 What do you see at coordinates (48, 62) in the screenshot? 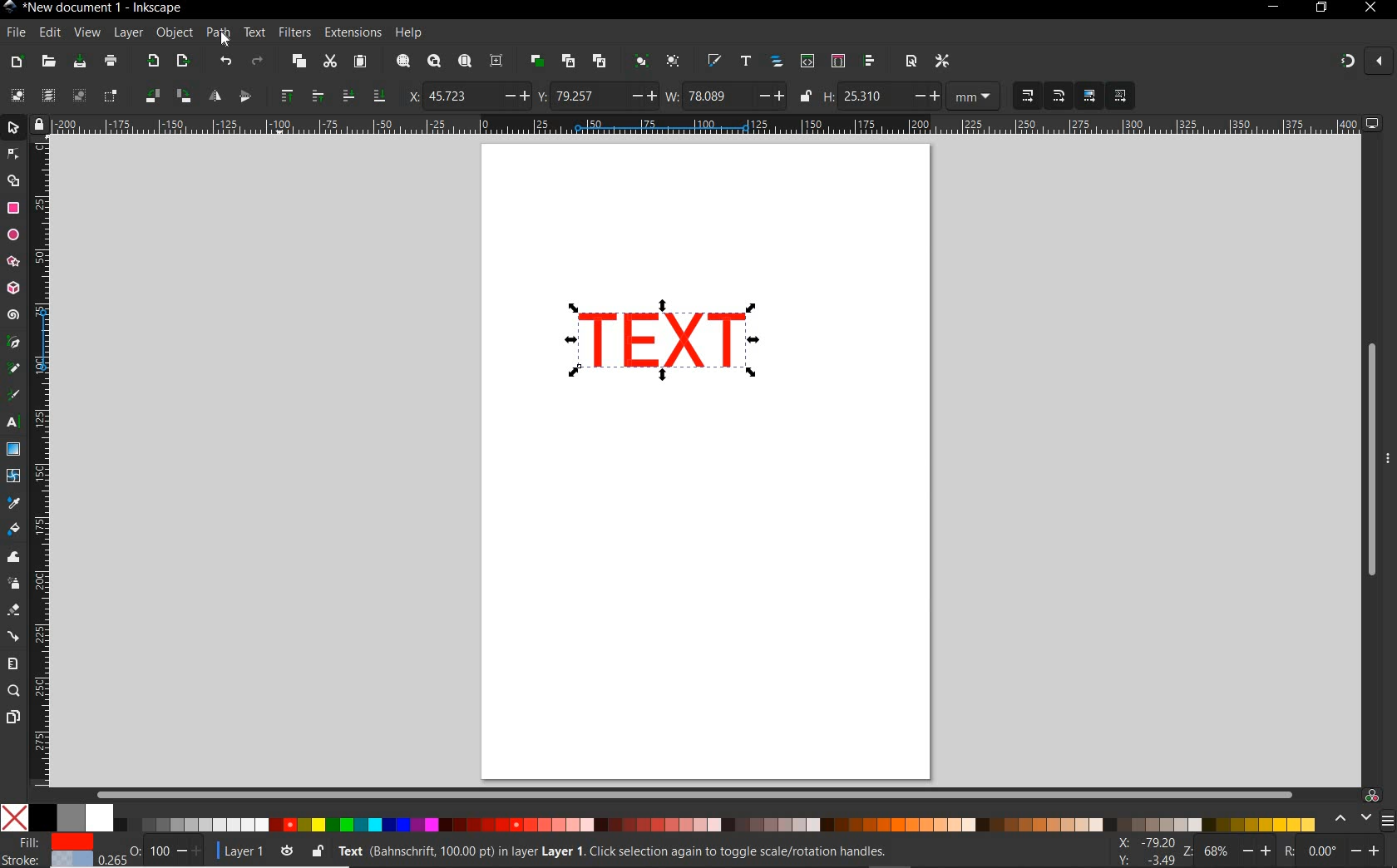
I see `OPEN FILE DIALOG` at bounding box center [48, 62].